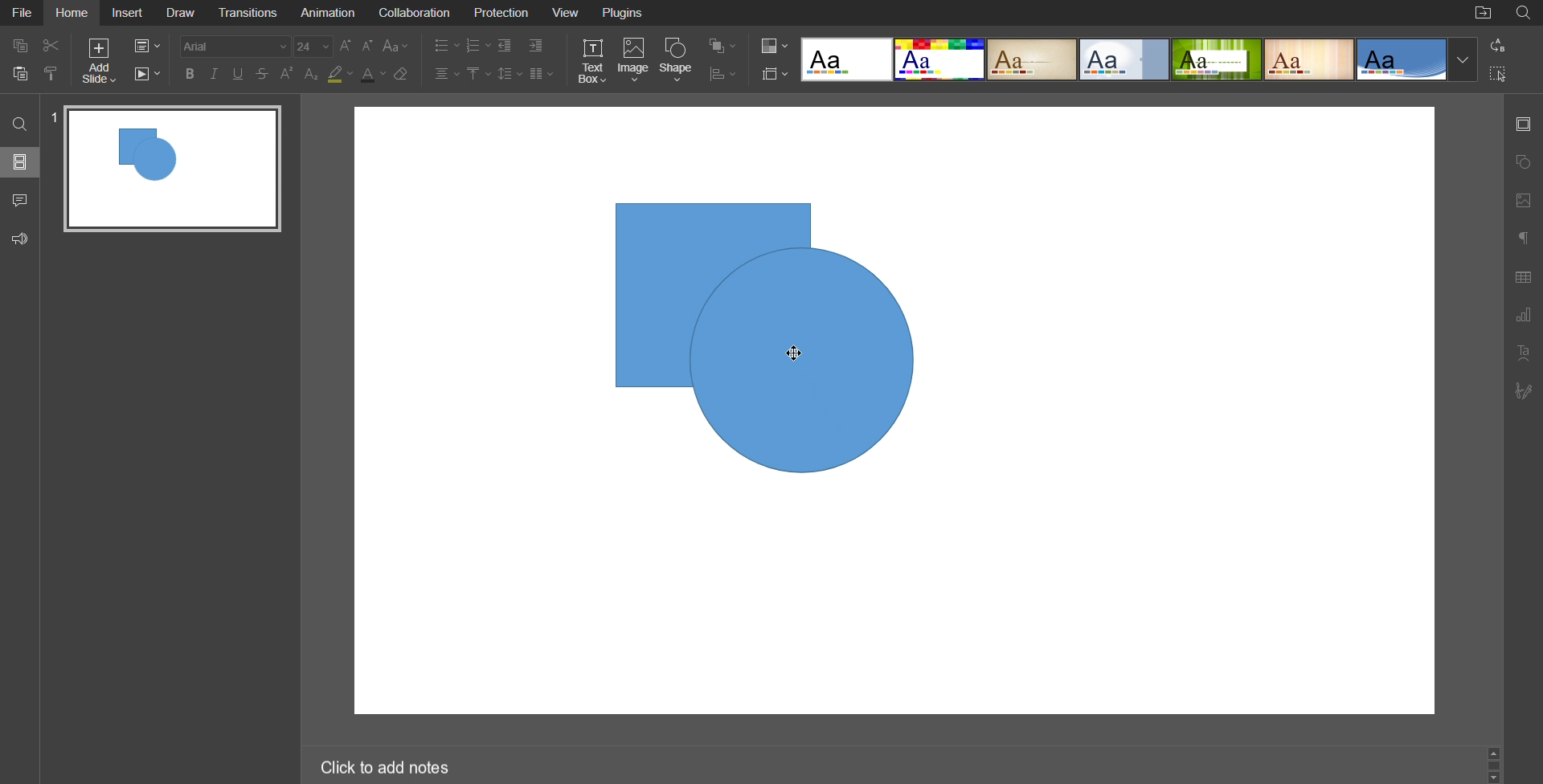  I want to click on Slide Settings, so click(776, 73).